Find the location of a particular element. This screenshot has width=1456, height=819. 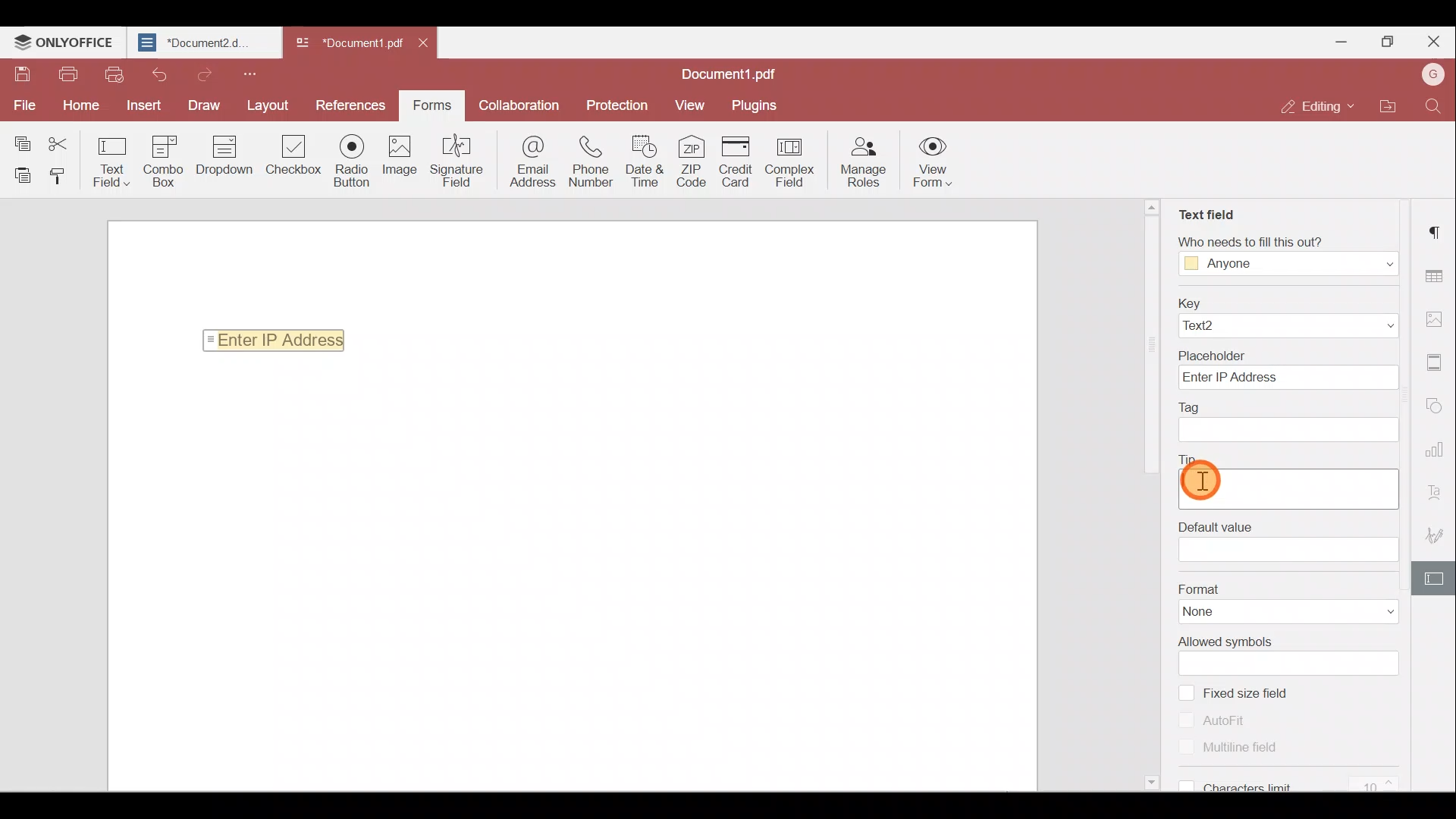

Home is located at coordinates (85, 104).